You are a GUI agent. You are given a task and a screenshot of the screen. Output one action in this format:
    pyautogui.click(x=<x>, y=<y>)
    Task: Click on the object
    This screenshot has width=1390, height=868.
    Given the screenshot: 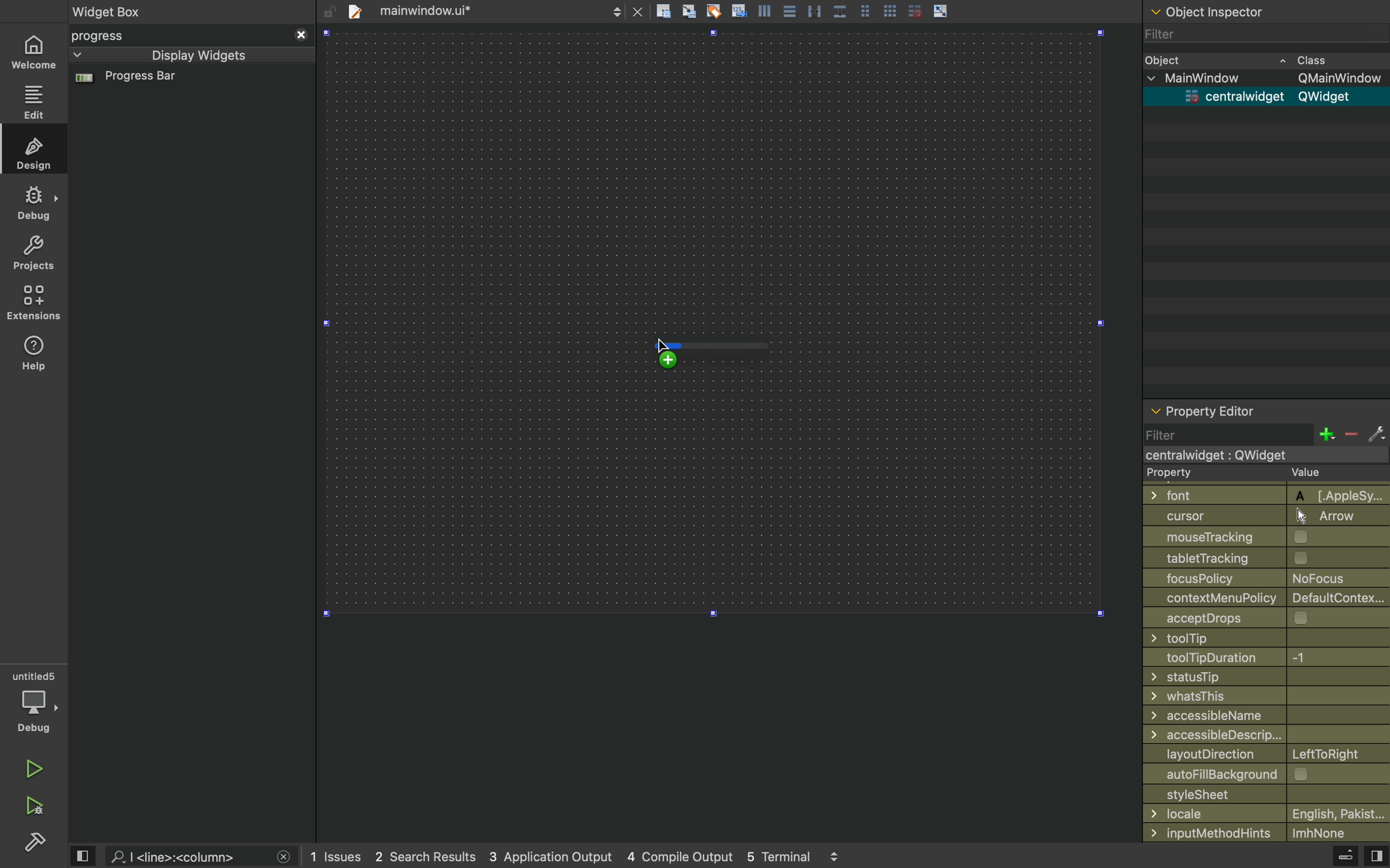 What is the action you would take?
    pyautogui.click(x=1254, y=59)
    